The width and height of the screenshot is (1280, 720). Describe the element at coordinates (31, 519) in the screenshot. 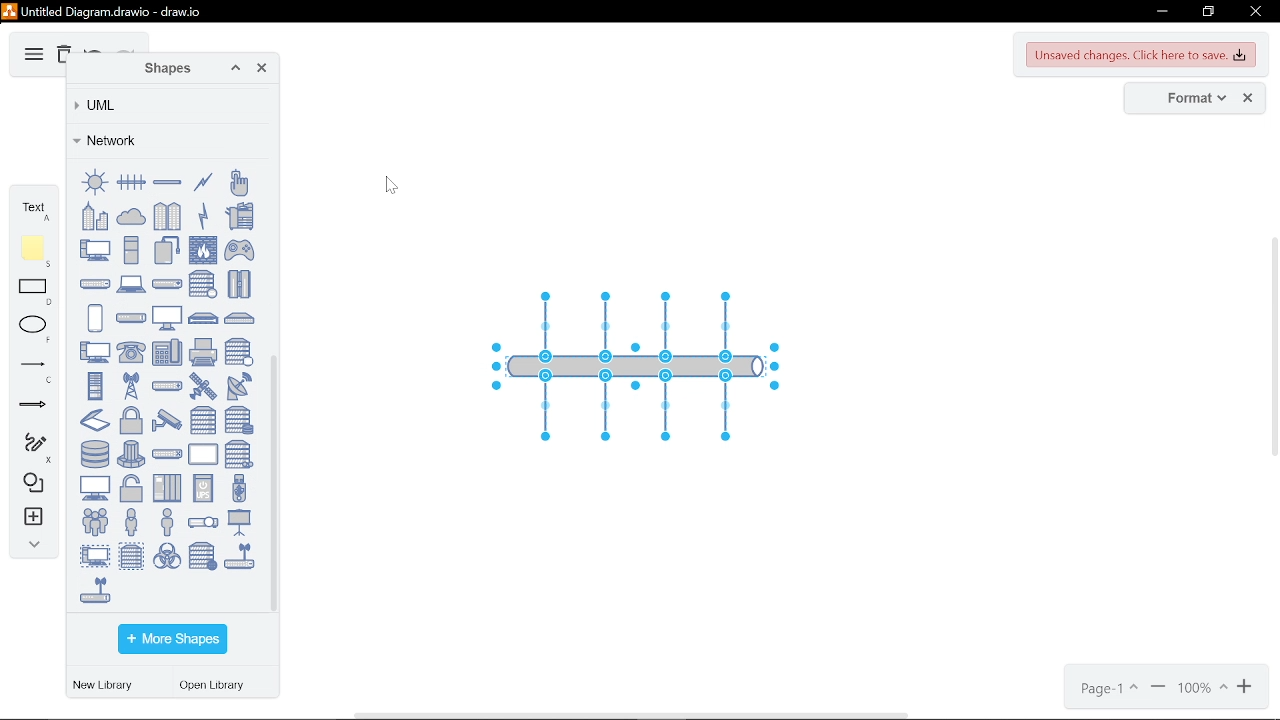

I see `insert` at that location.